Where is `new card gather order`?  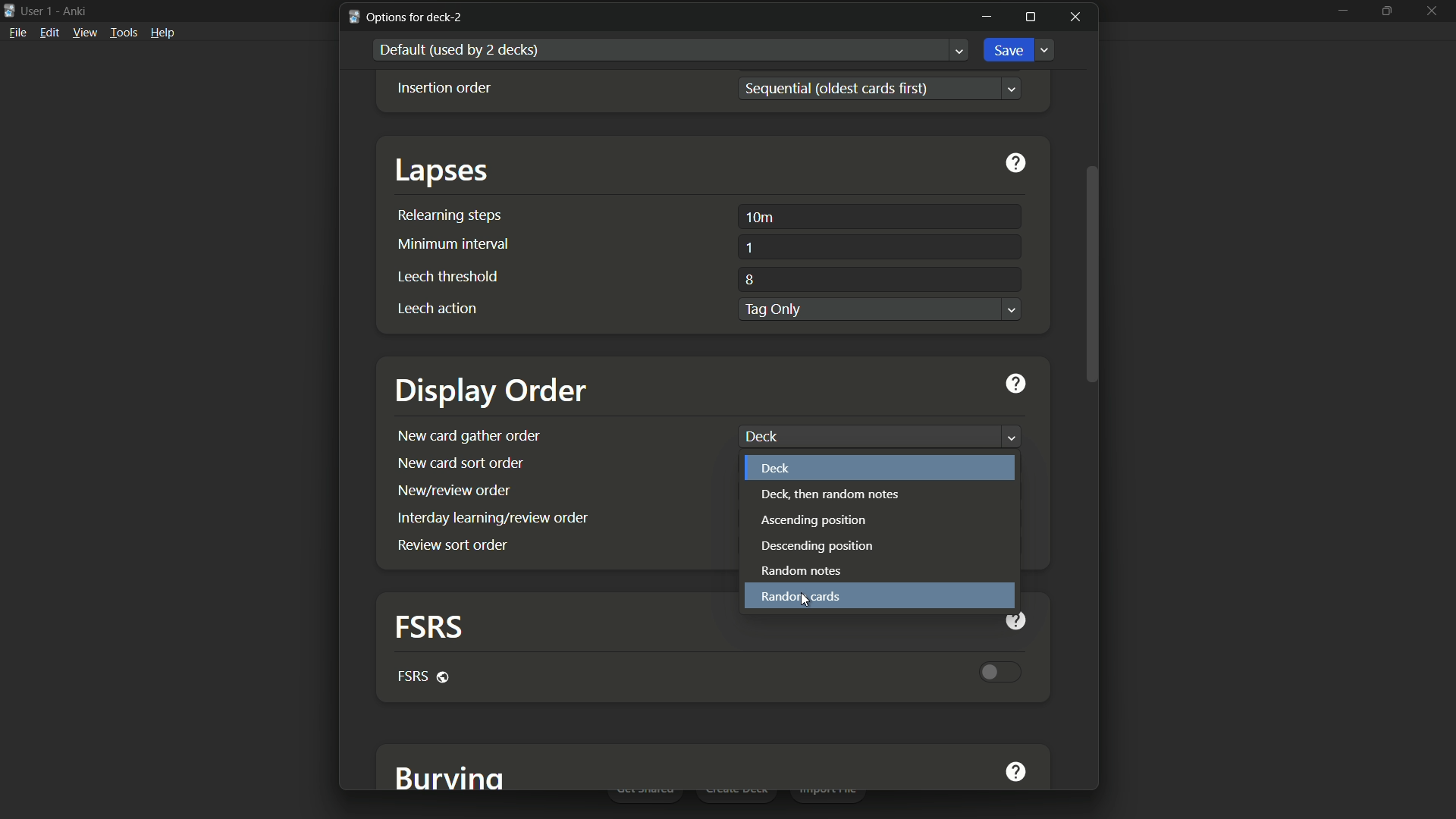
new card gather order is located at coordinates (469, 435).